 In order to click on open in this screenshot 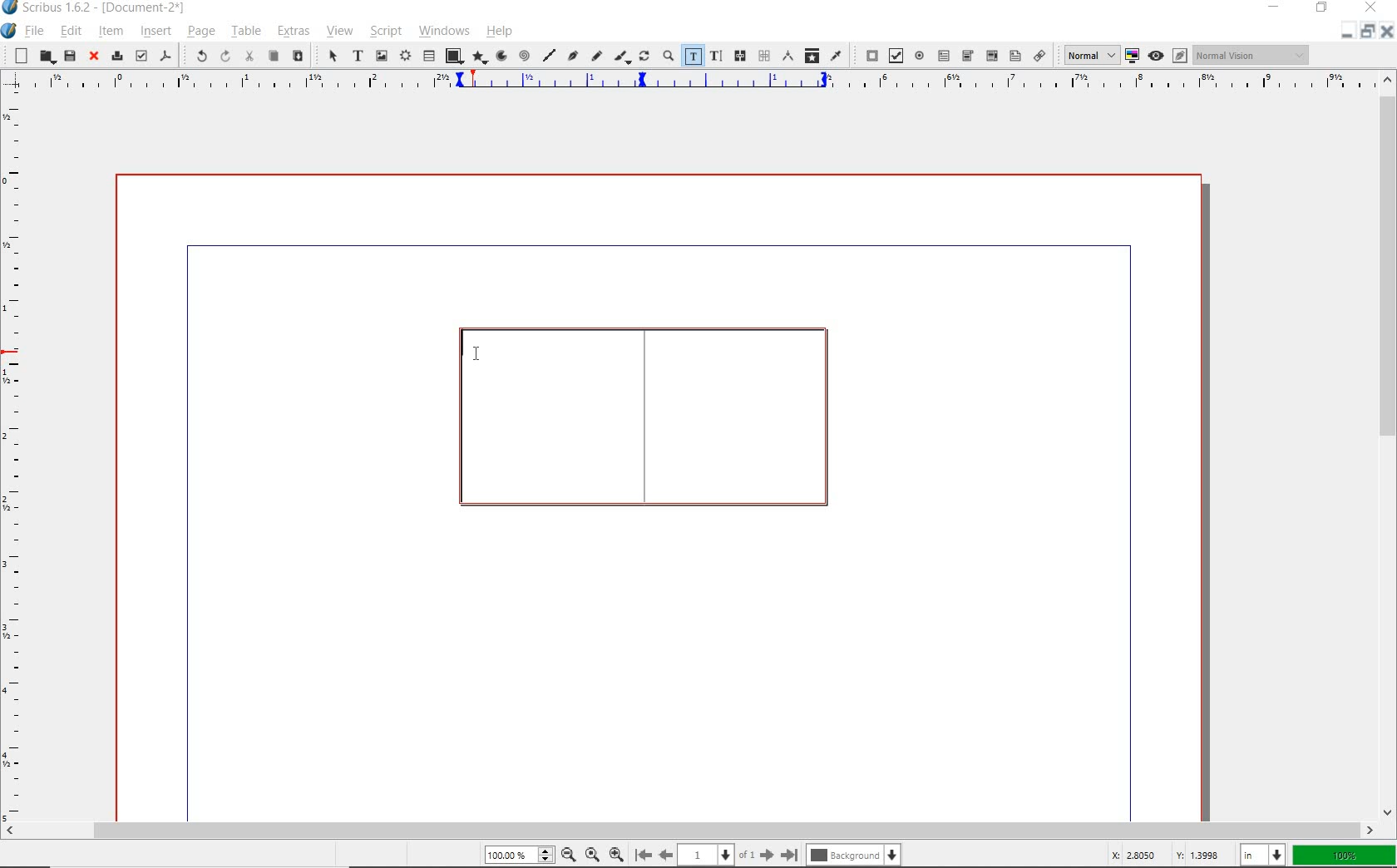, I will do `click(46, 57)`.